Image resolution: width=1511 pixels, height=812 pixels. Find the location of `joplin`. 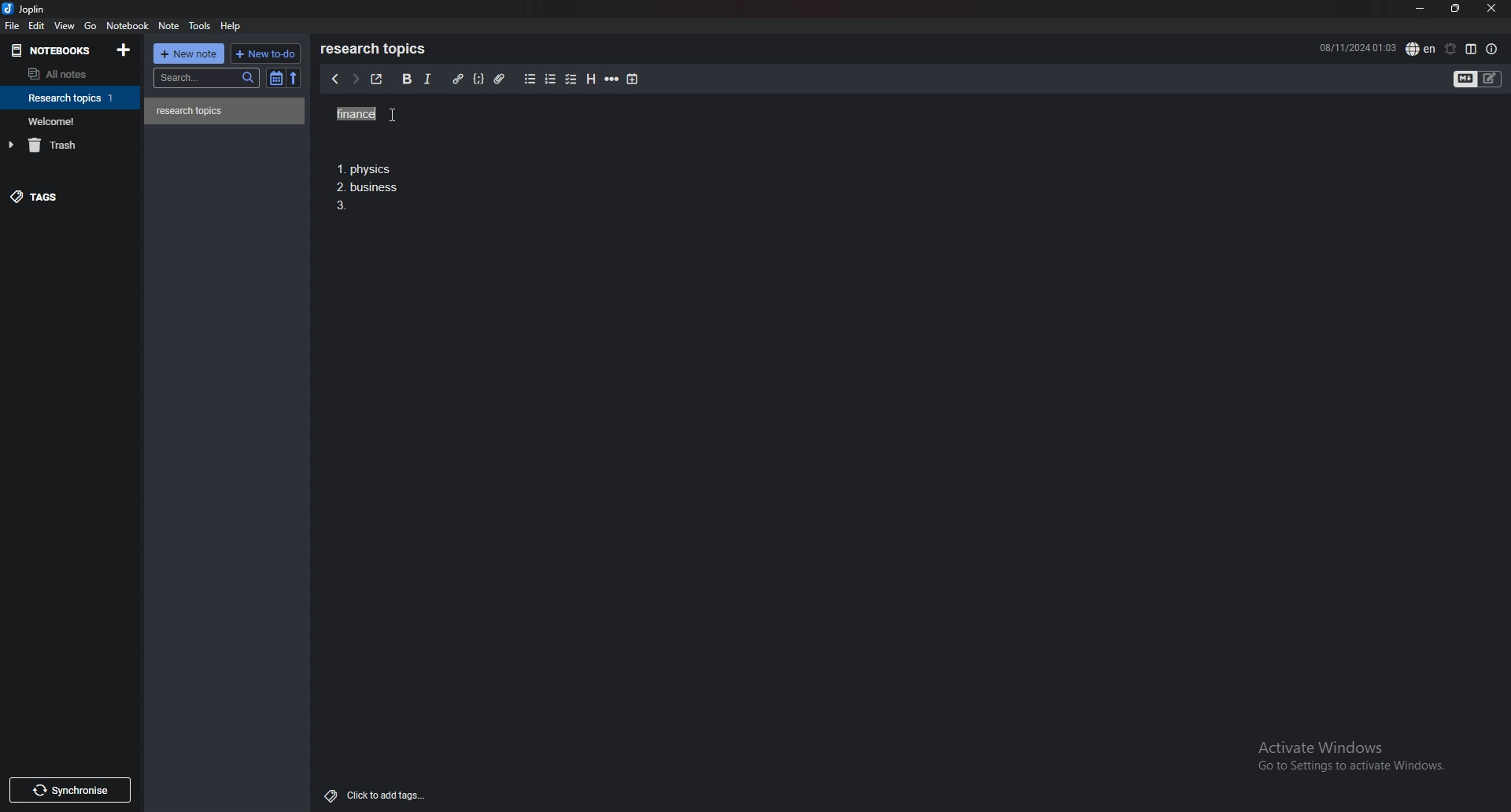

joplin is located at coordinates (25, 10).